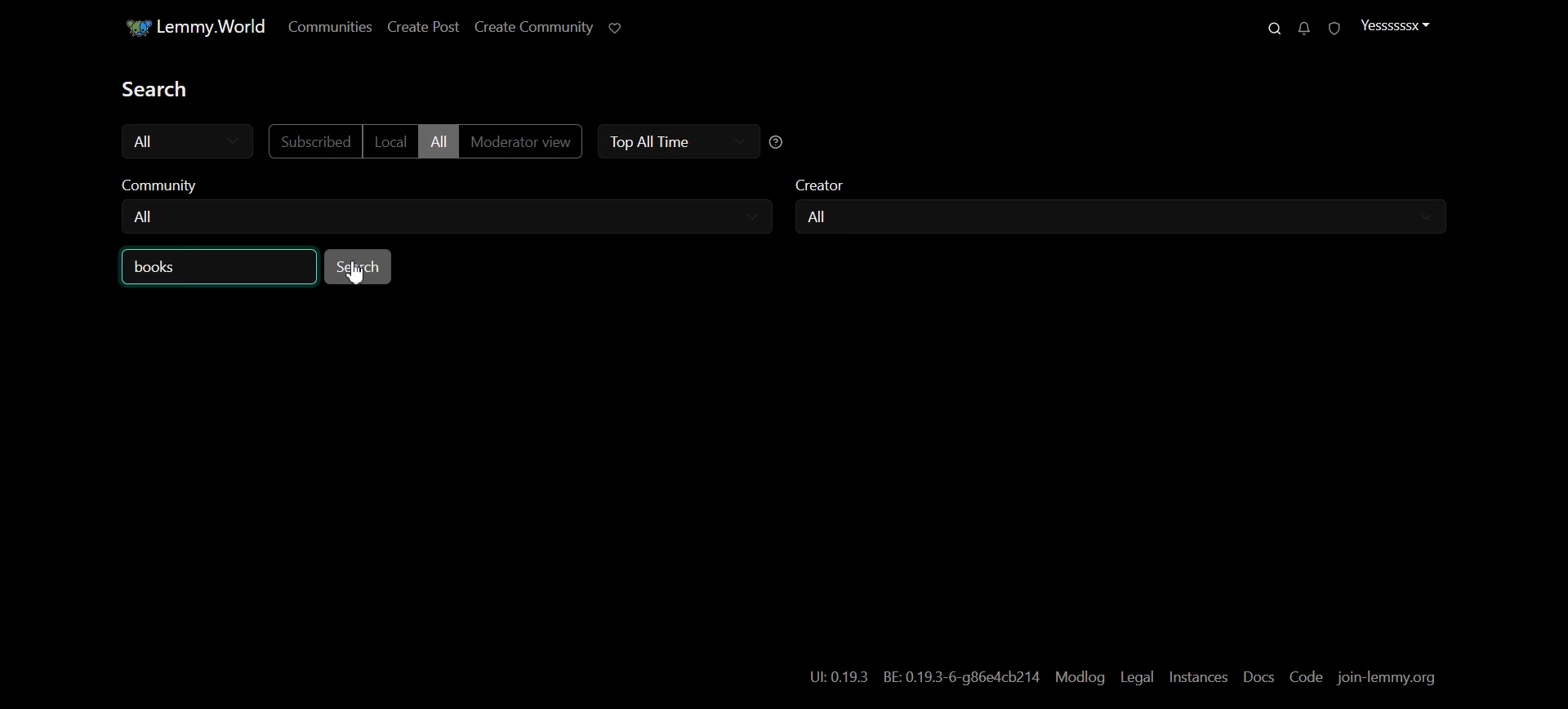  I want to click on Text, so click(160, 267).